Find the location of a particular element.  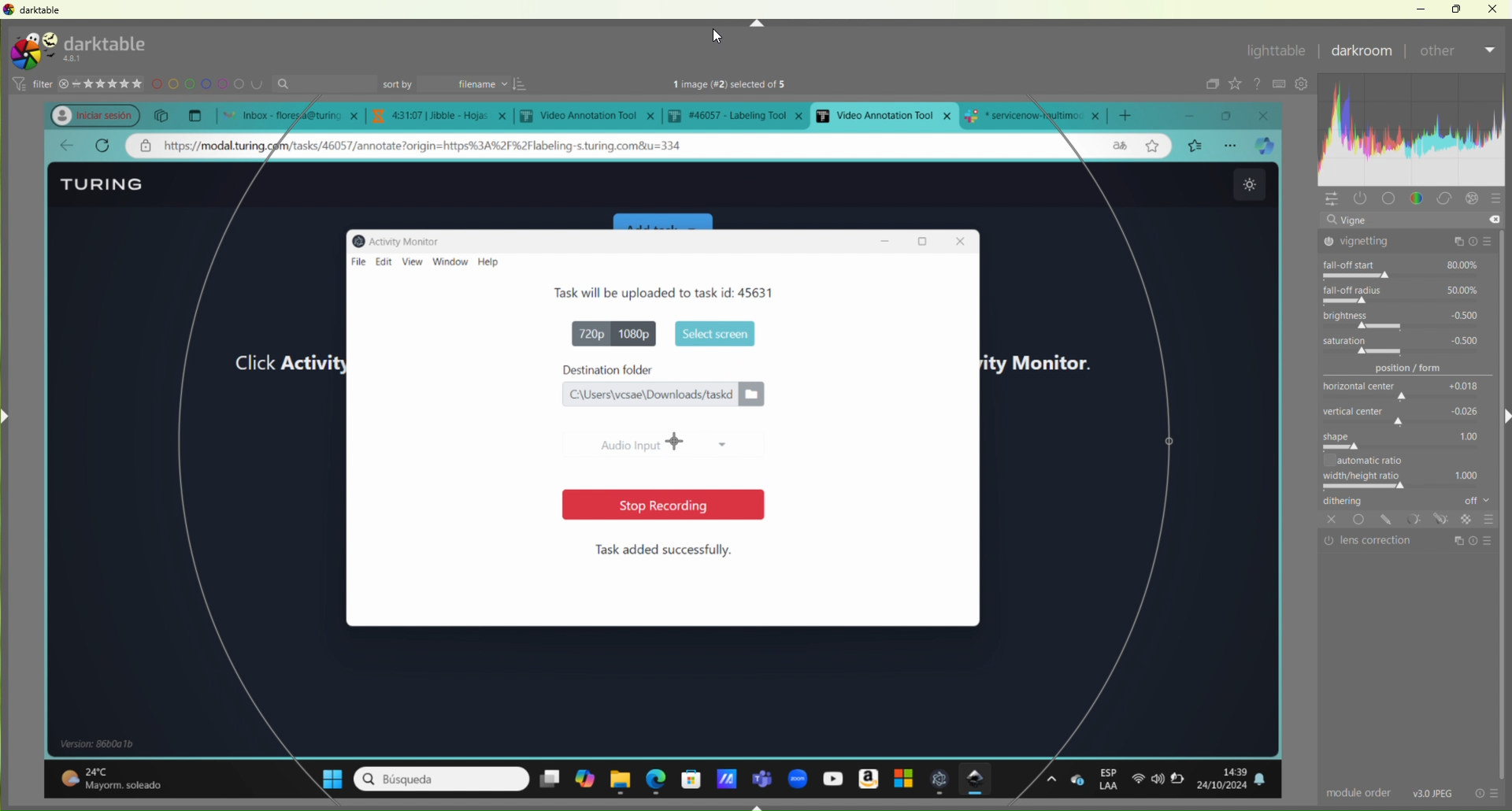

vertical center is located at coordinates (1404, 413).